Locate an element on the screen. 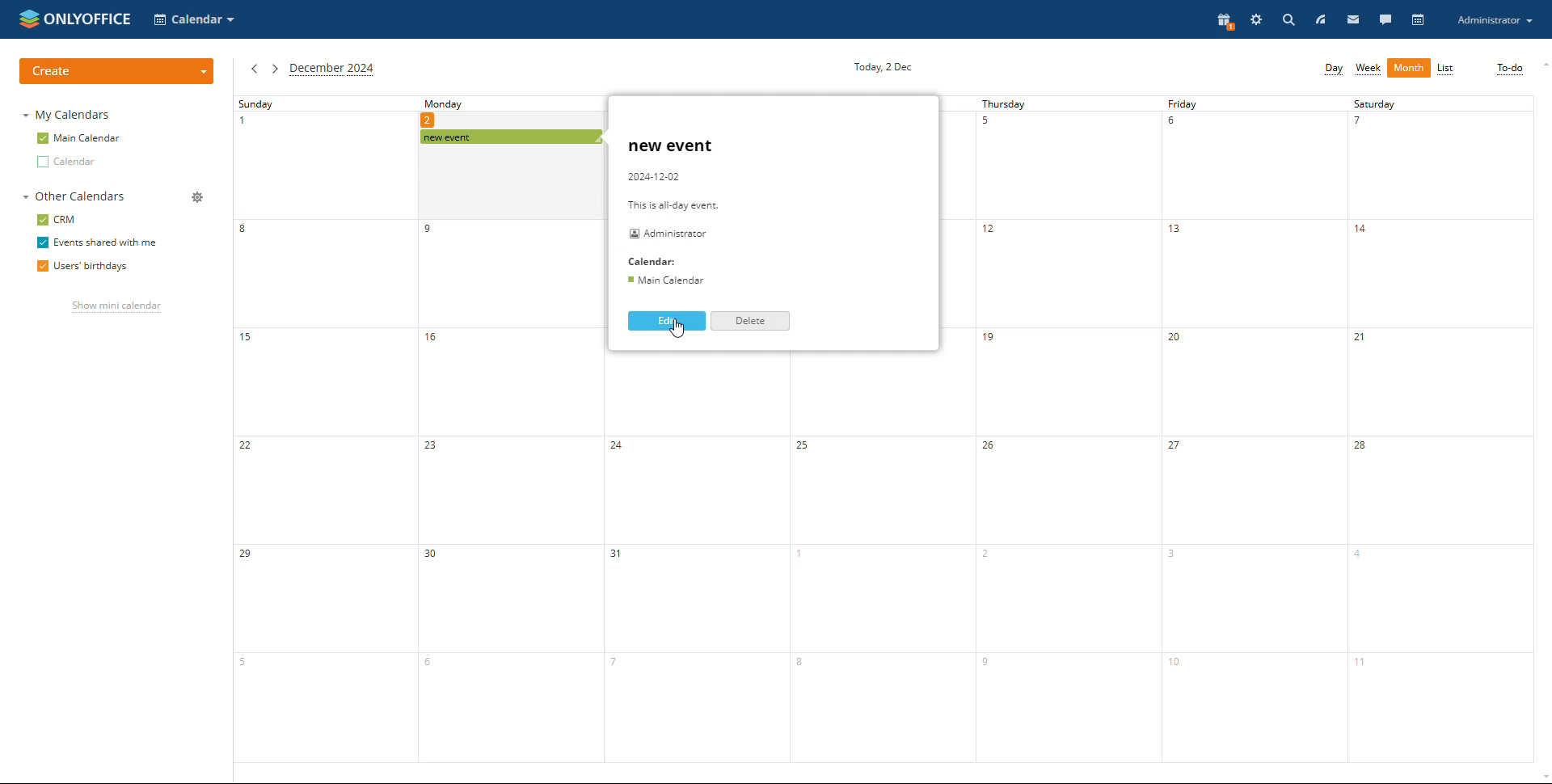  calendar is located at coordinates (1419, 19).